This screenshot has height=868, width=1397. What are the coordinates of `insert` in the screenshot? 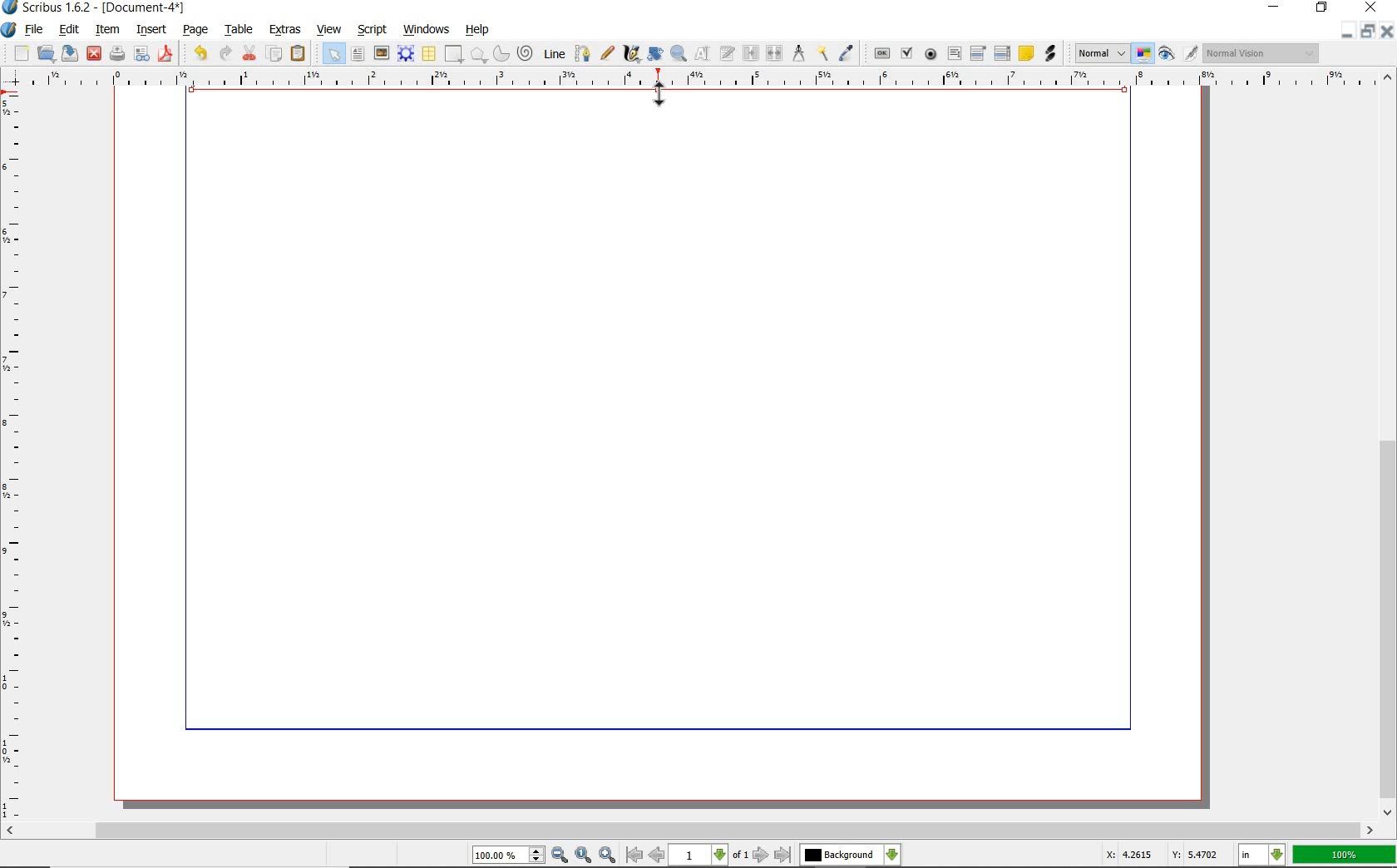 It's located at (151, 29).